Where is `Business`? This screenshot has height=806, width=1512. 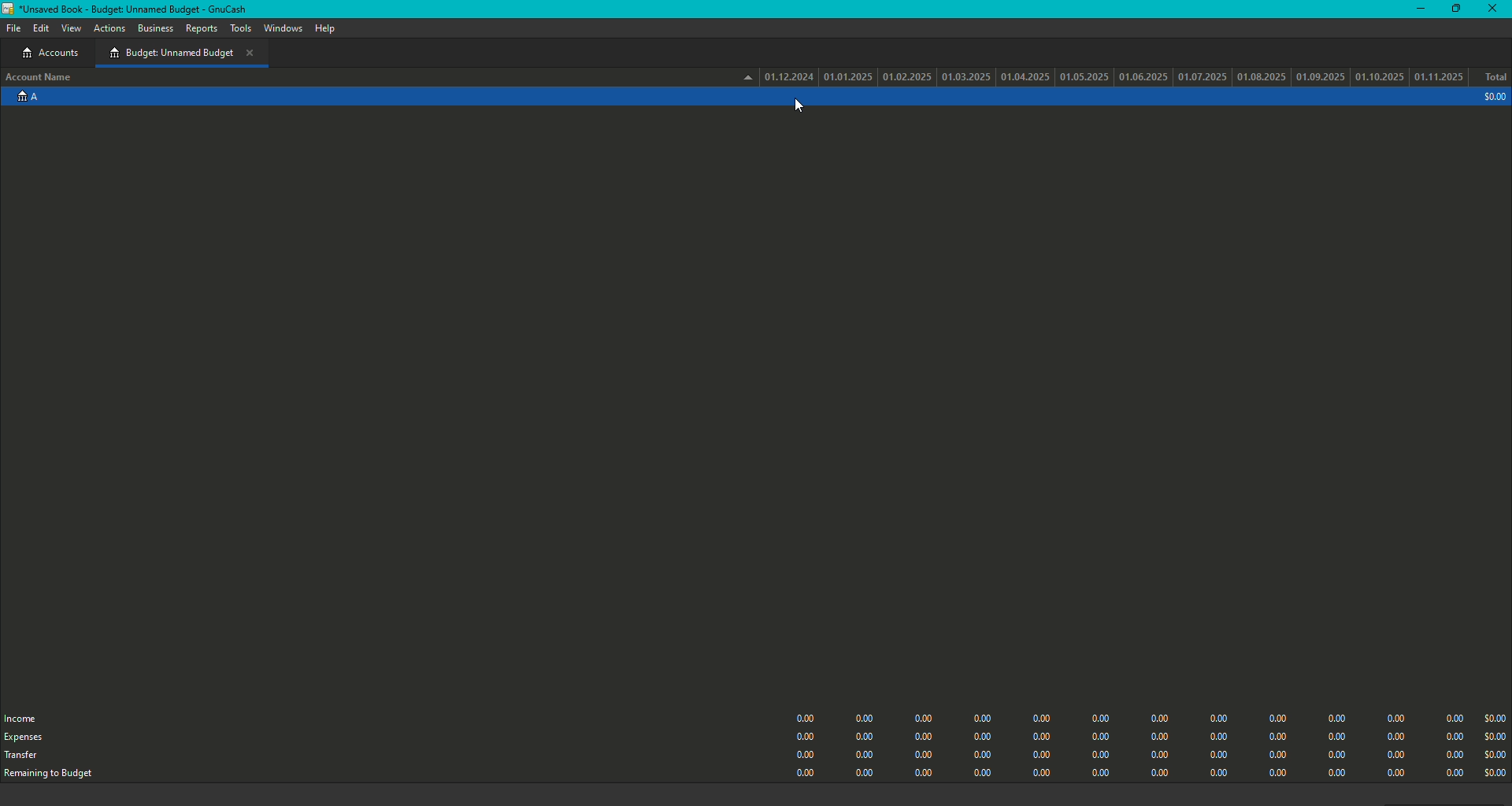
Business is located at coordinates (155, 28).